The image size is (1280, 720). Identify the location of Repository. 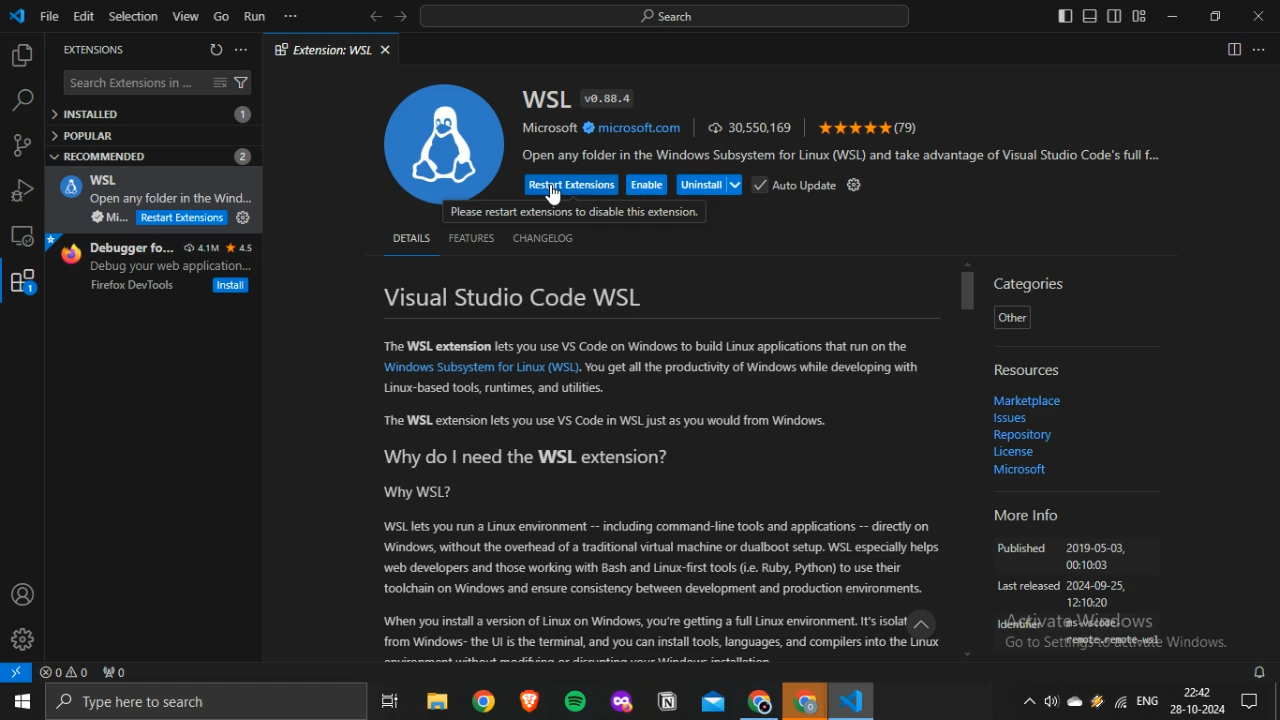
(1021, 436).